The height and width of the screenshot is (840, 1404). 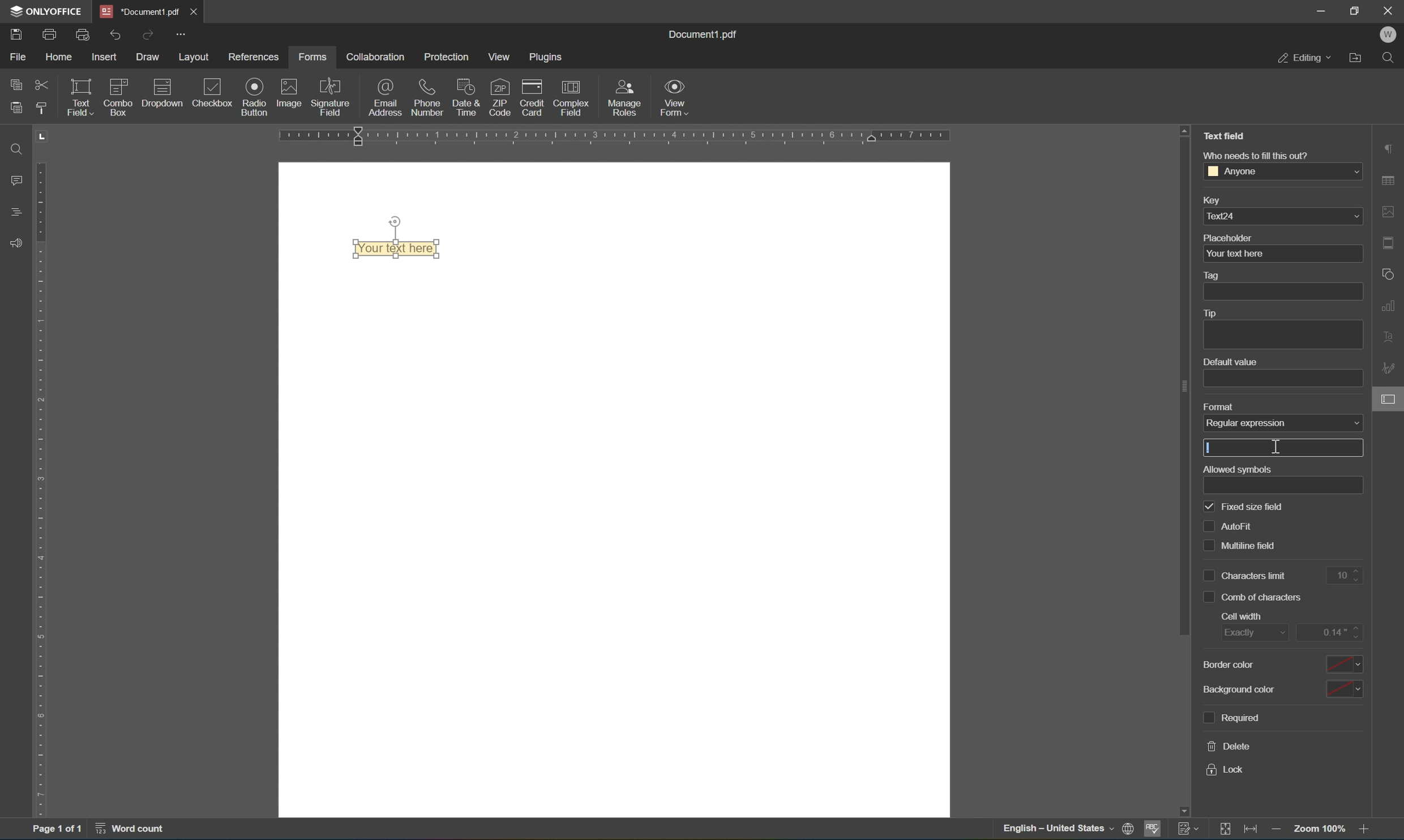 I want to click on credit card, so click(x=532, y=100).